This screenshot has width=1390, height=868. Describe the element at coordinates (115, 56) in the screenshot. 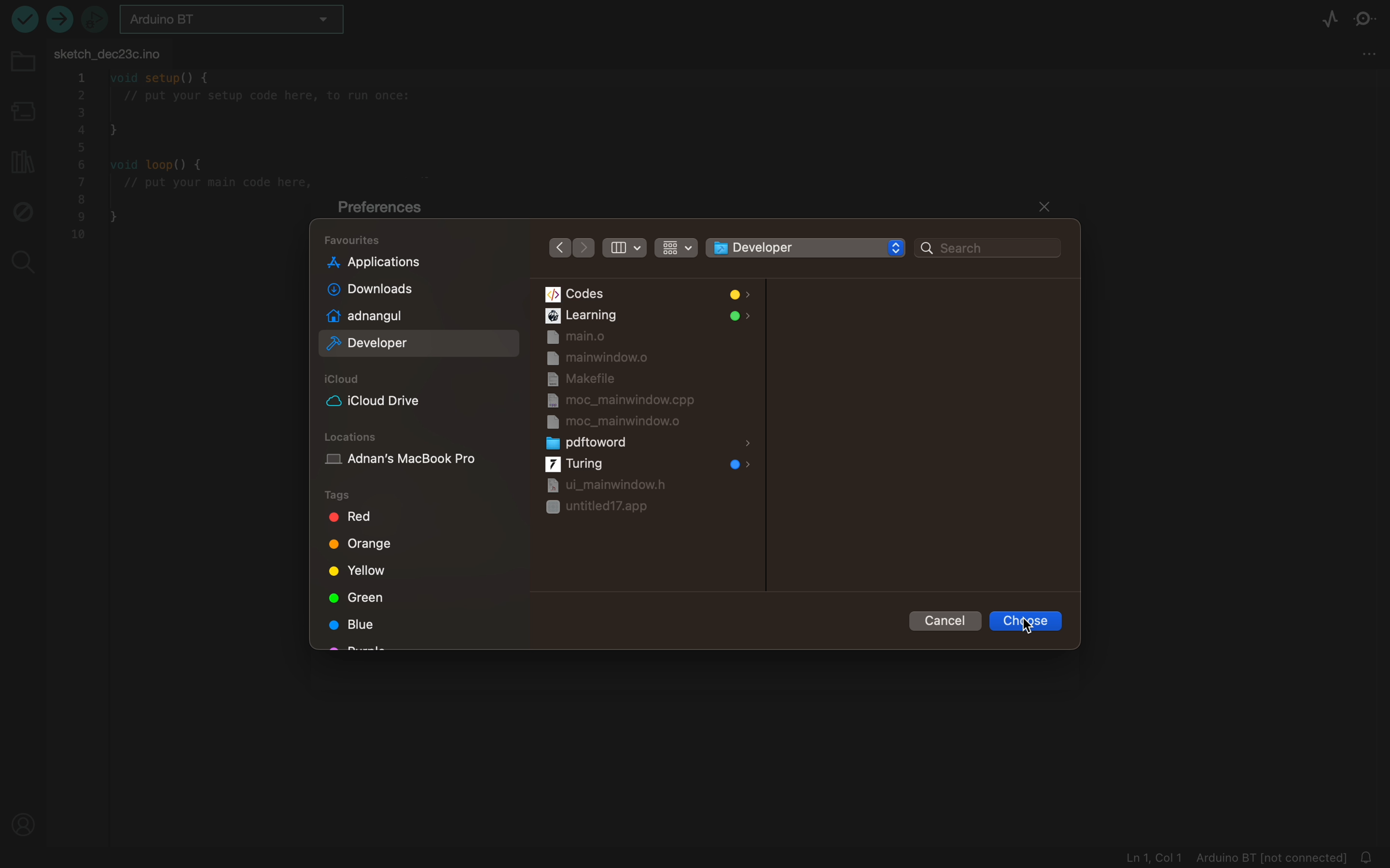

I see `FILE TAB` at that location.